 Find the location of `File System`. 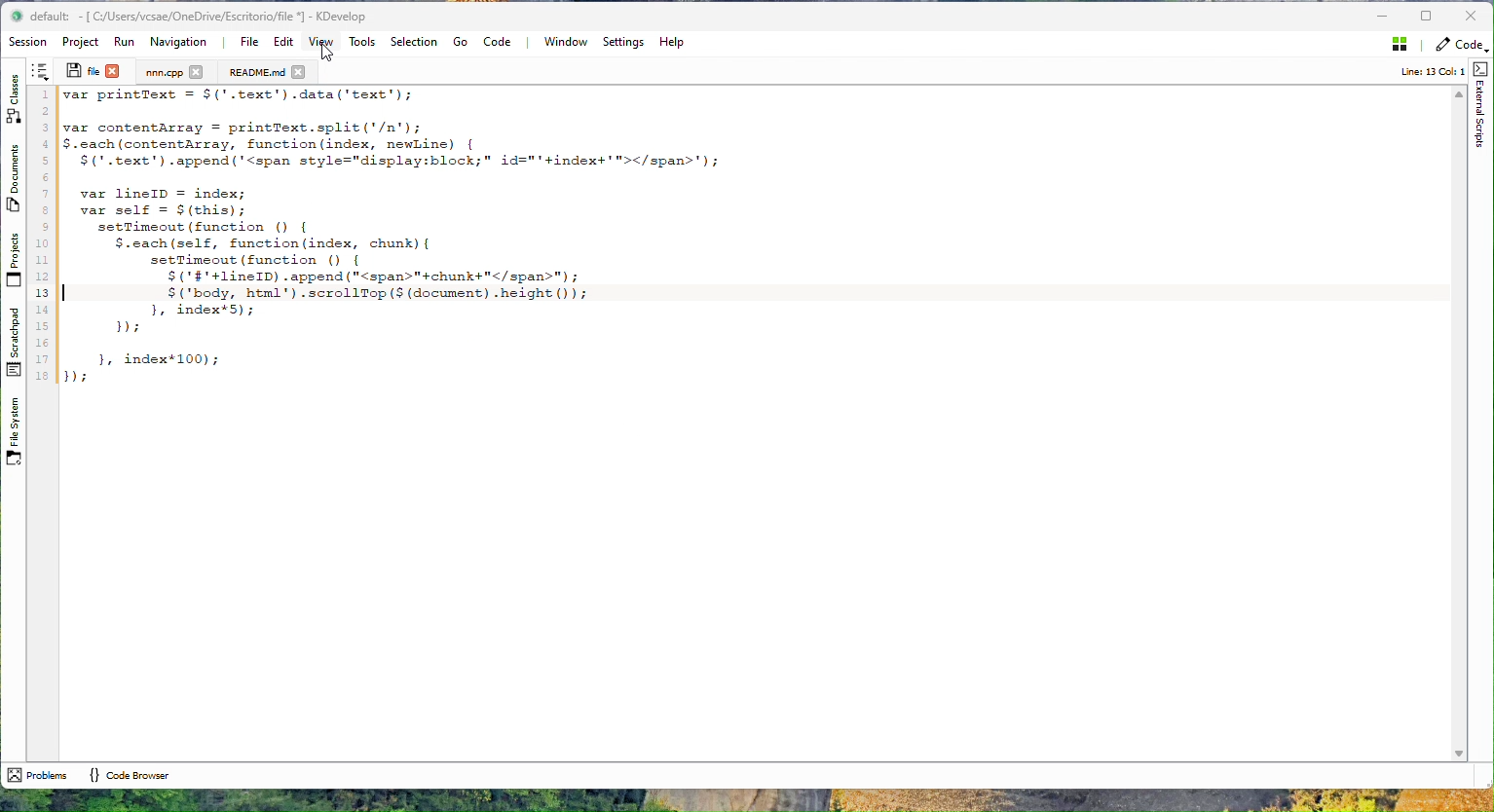

File System is located at coordinates (12, 436).